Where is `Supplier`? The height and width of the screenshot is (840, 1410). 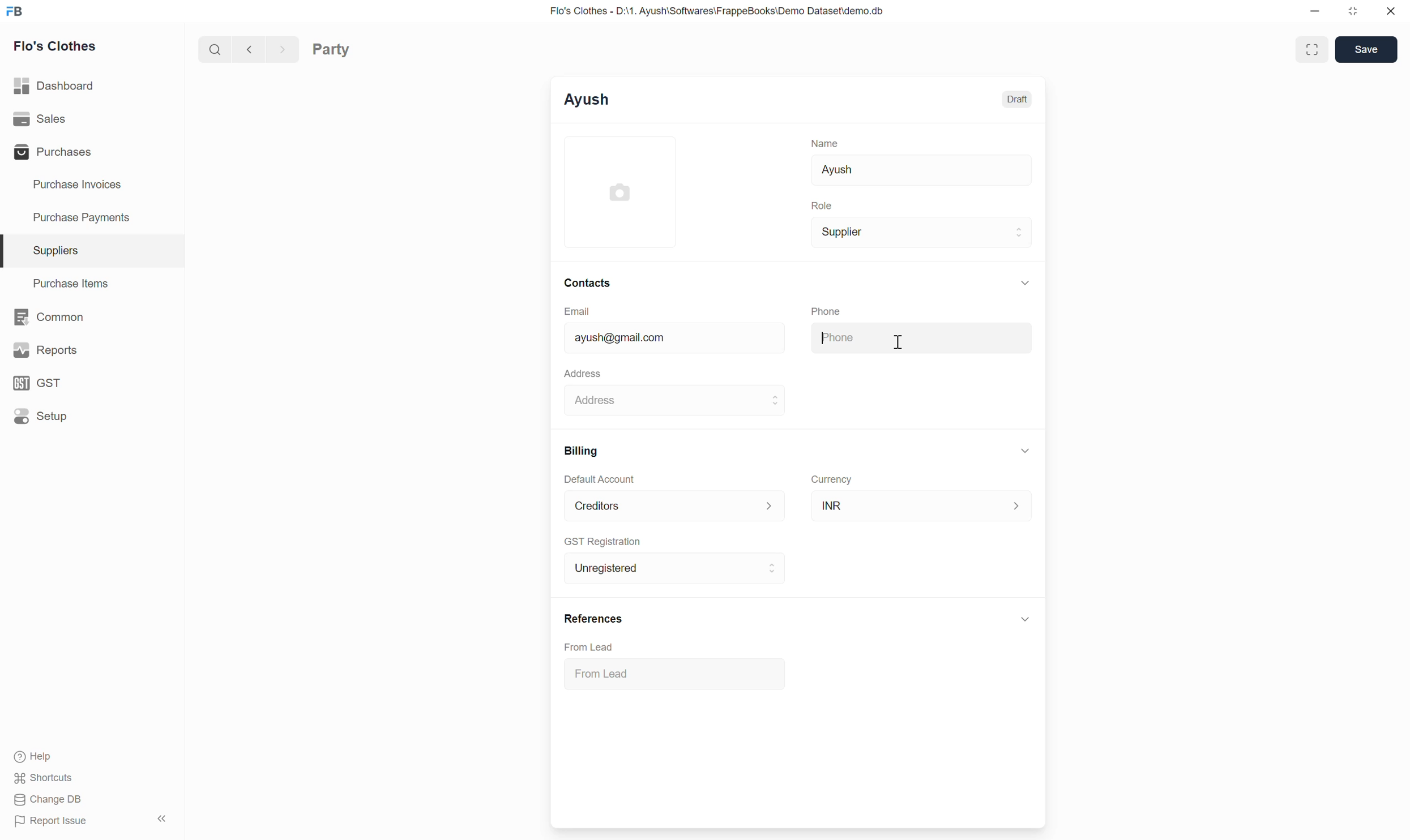
Supplier is located at coordinates (921, 232).